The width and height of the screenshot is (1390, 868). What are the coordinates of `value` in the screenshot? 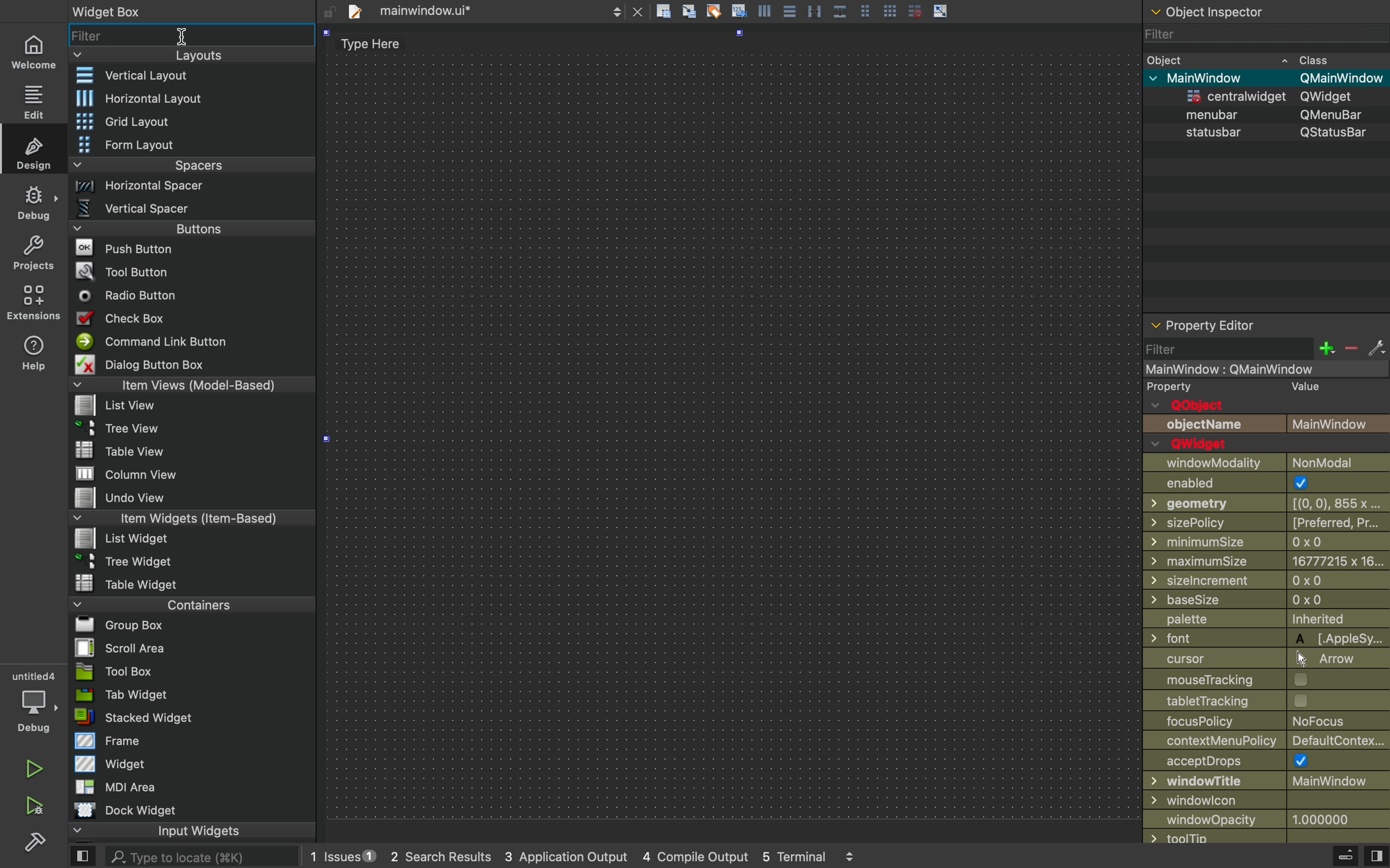 It's located at (1300, 388).